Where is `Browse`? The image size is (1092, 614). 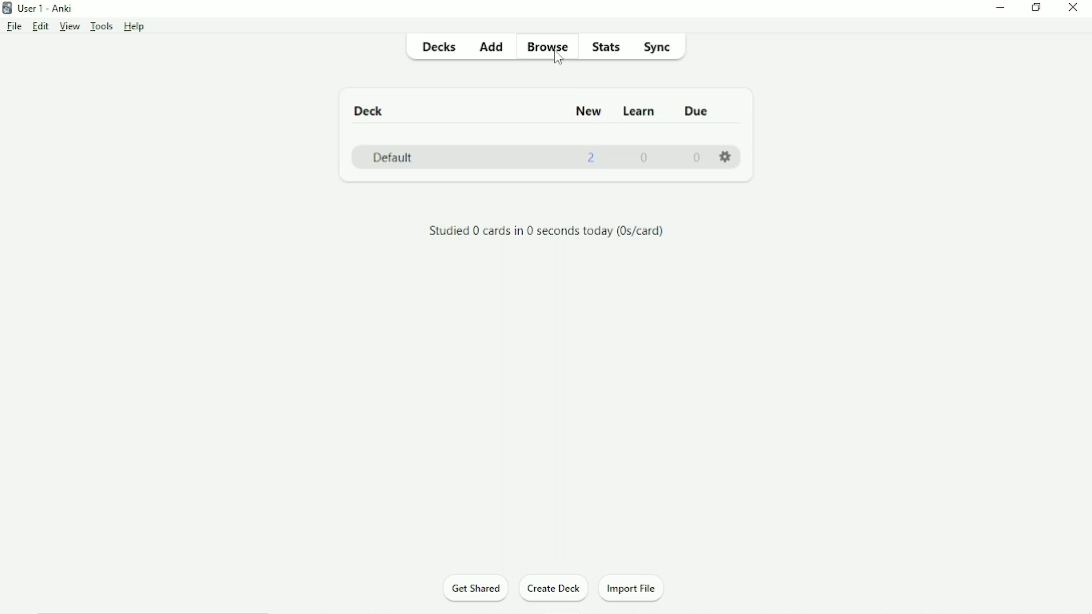
Browse is located at coordinates (547, 48).